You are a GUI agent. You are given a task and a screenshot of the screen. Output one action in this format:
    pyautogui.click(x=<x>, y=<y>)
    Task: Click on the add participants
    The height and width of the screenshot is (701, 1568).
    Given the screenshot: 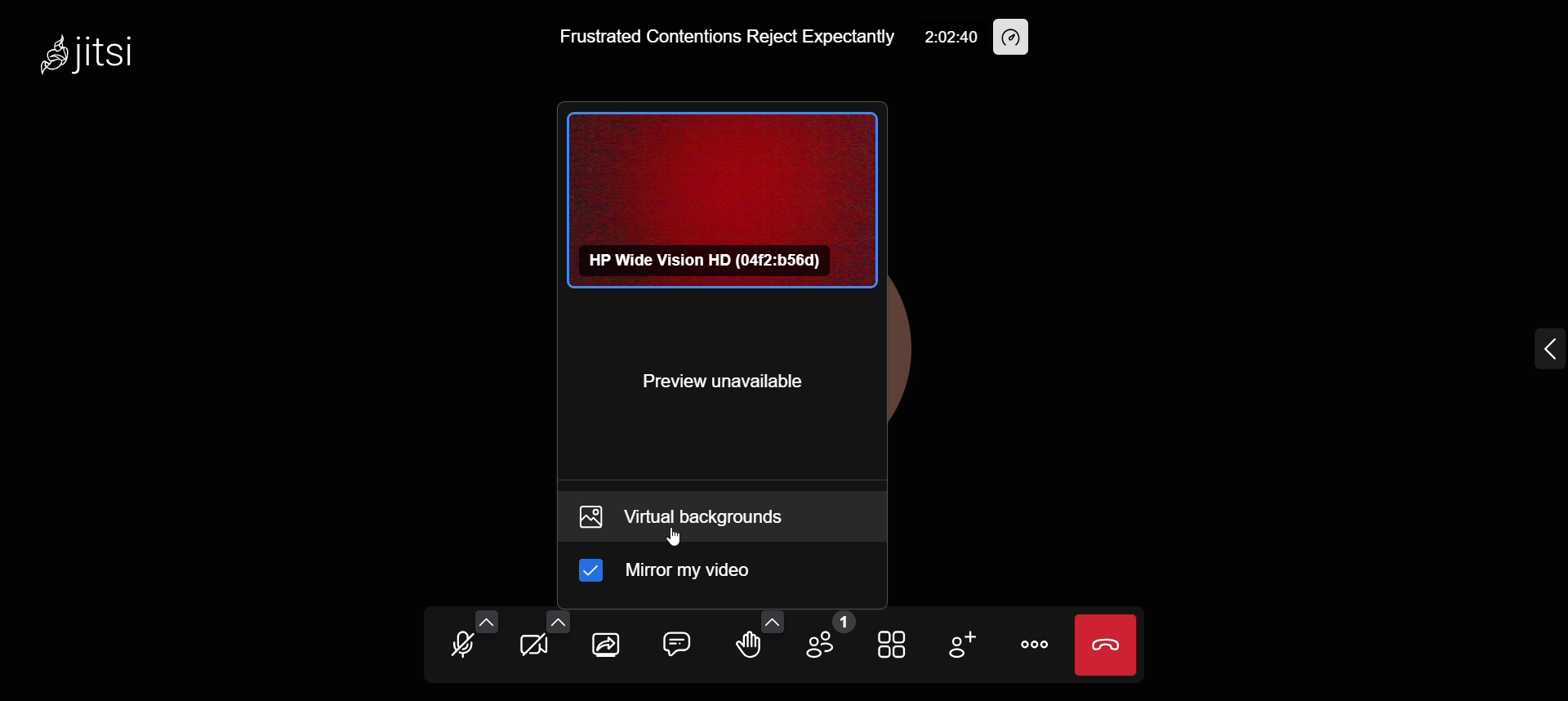 What is the action you would take?
    pyautogui.click(x=962, y=643)
    